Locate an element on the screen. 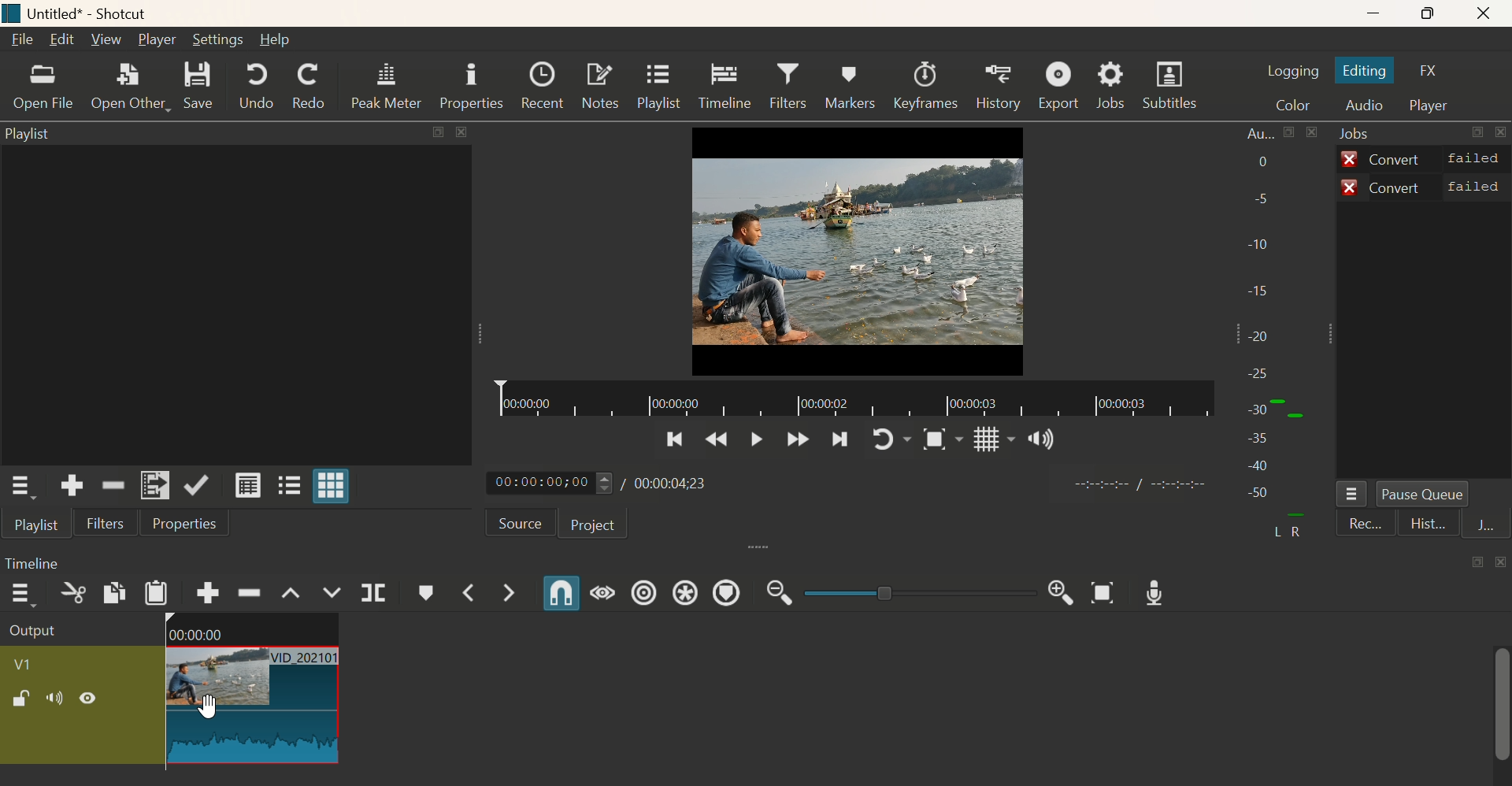  Save is located at coordinates (205, 87).